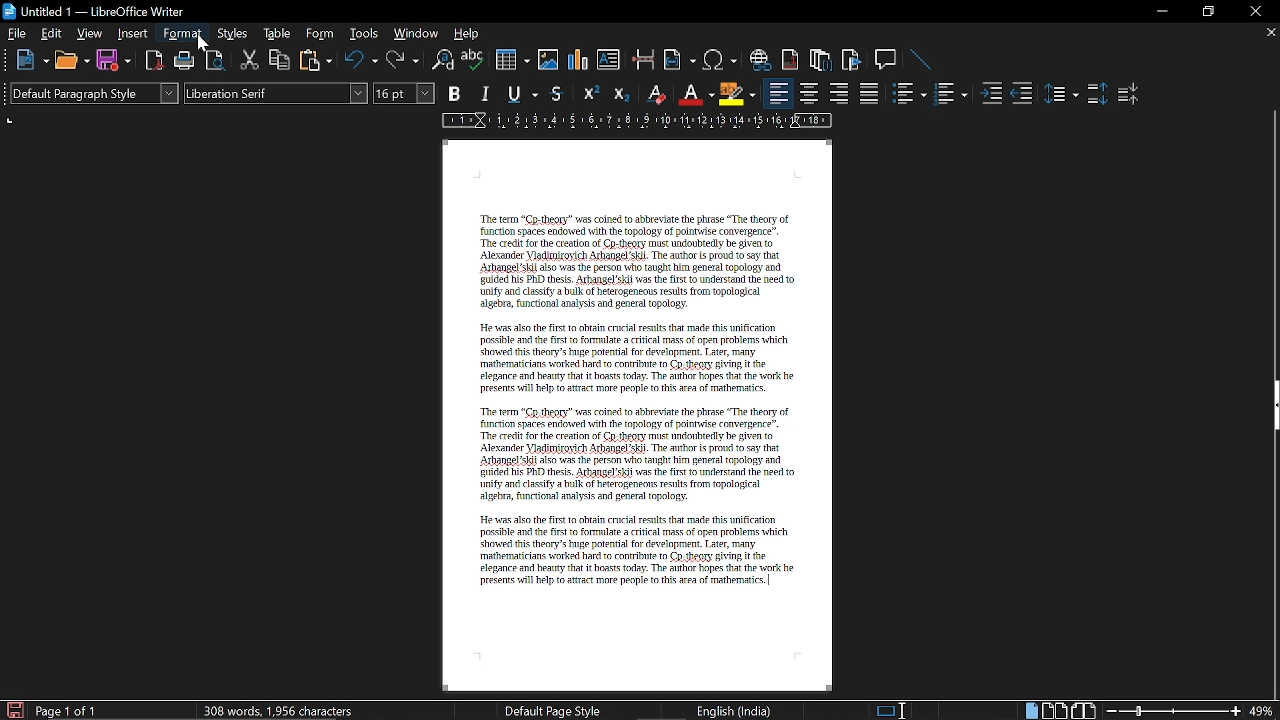  What do you see at coordinates (810, 94) in the screenshot?
I see `Center` at bounding box center [810, 94].